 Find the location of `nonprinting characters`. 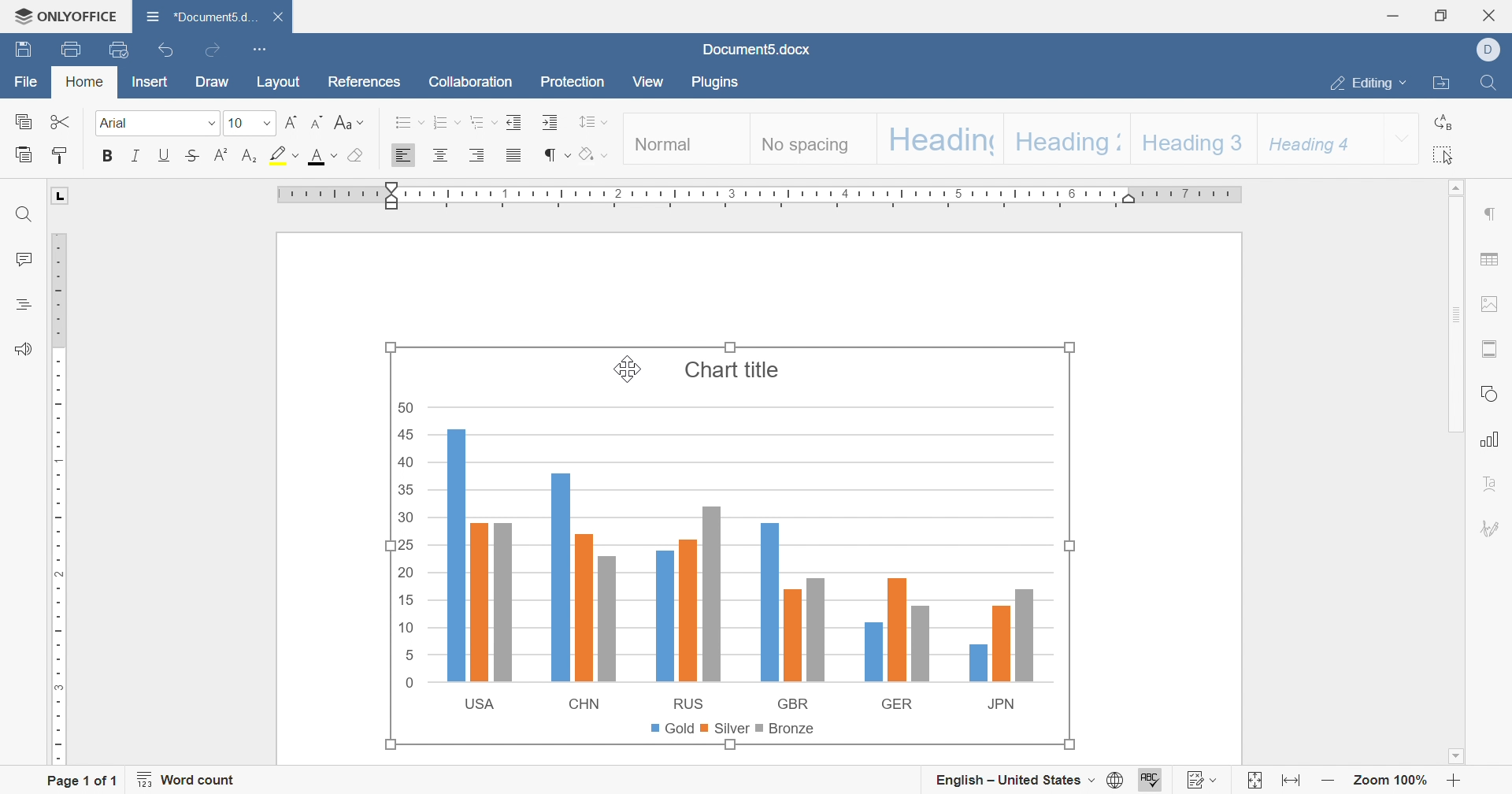

nonprinting characters is located at coordinates (556, 156).